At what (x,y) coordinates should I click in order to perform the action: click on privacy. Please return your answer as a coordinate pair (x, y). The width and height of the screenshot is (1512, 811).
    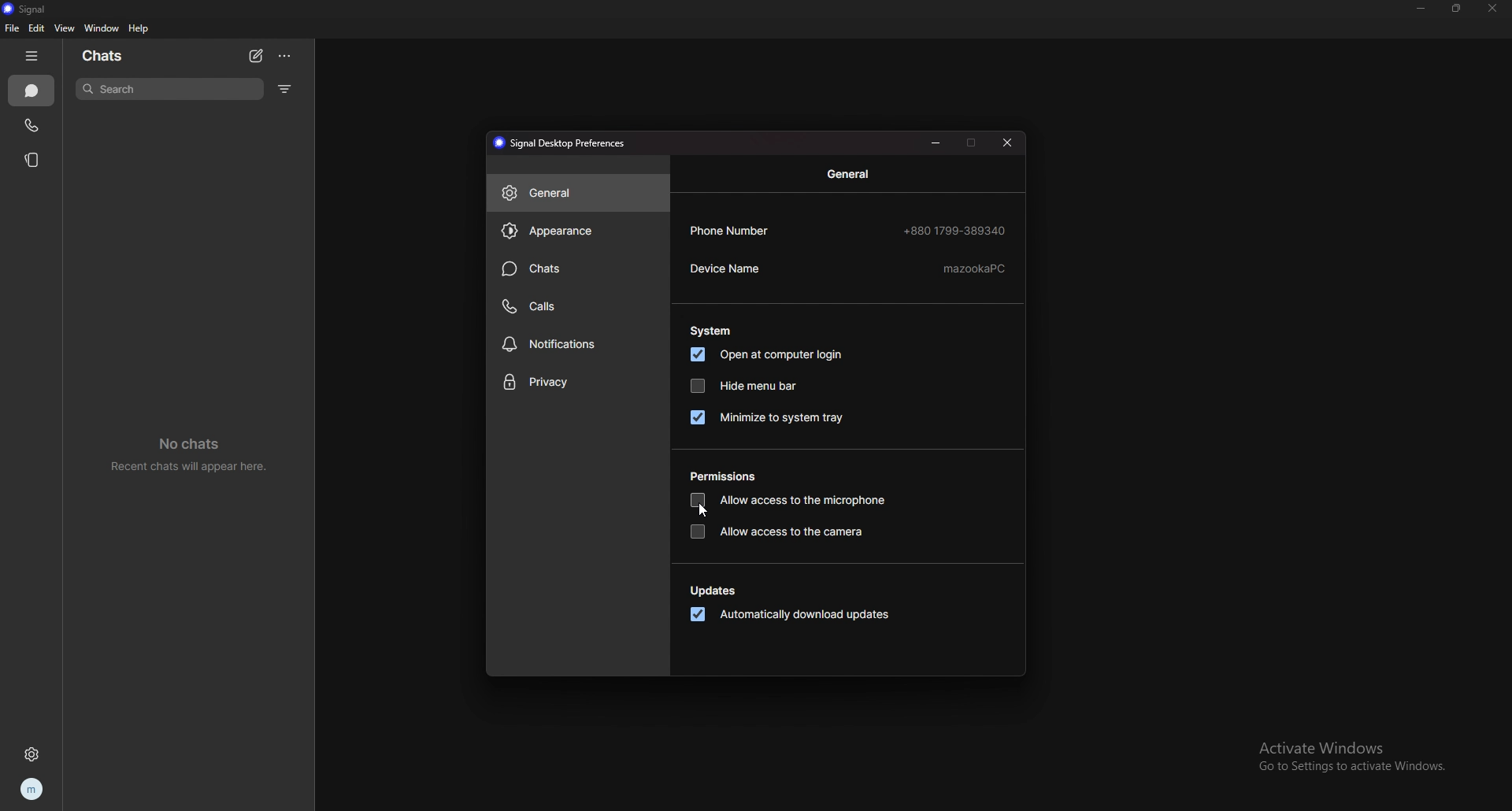
    Looking at the image, I should click on (578, 383).